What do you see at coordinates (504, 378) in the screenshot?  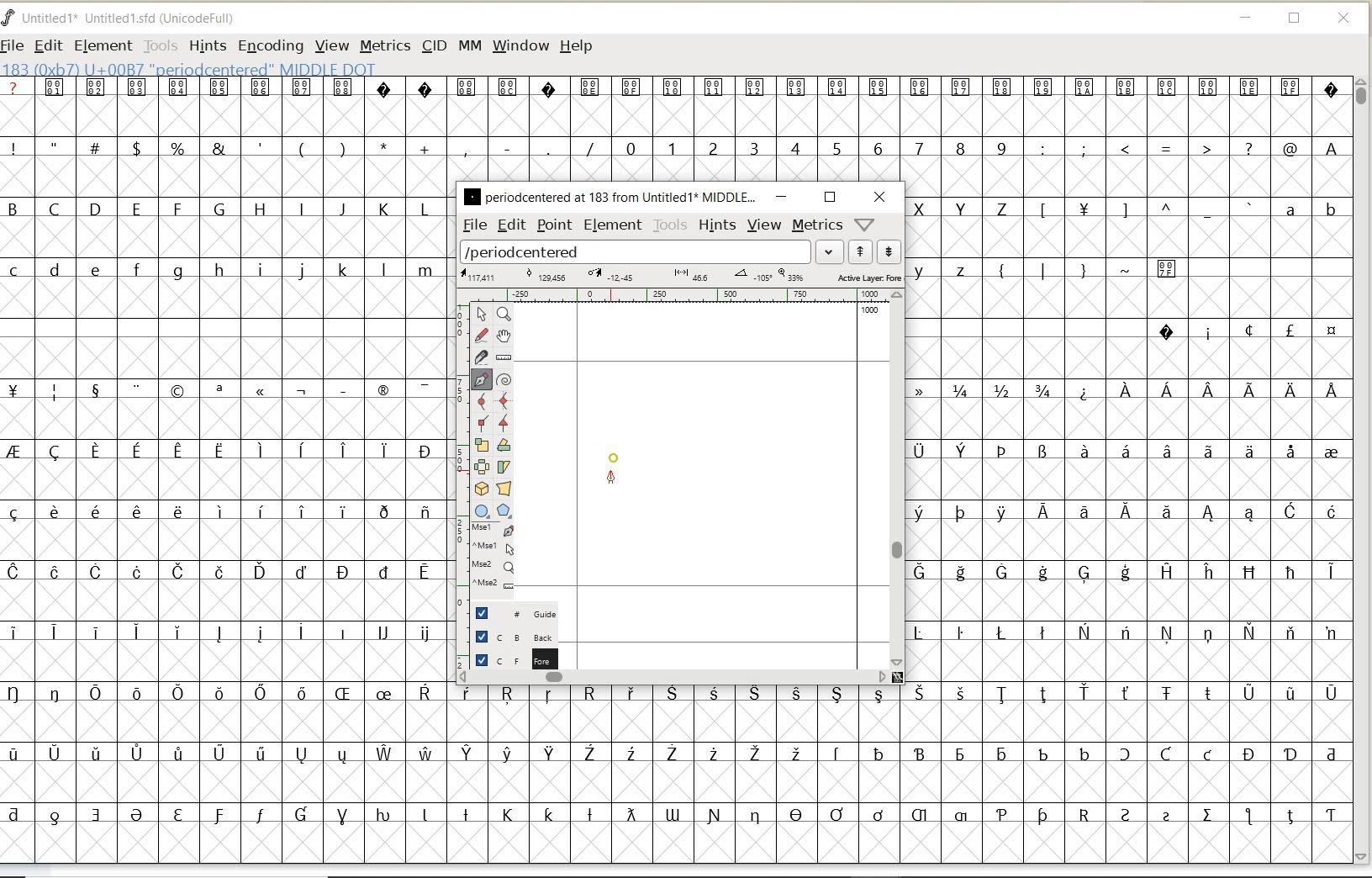 I see `change whether spiro is active or not` at bounding box center [504, 378].